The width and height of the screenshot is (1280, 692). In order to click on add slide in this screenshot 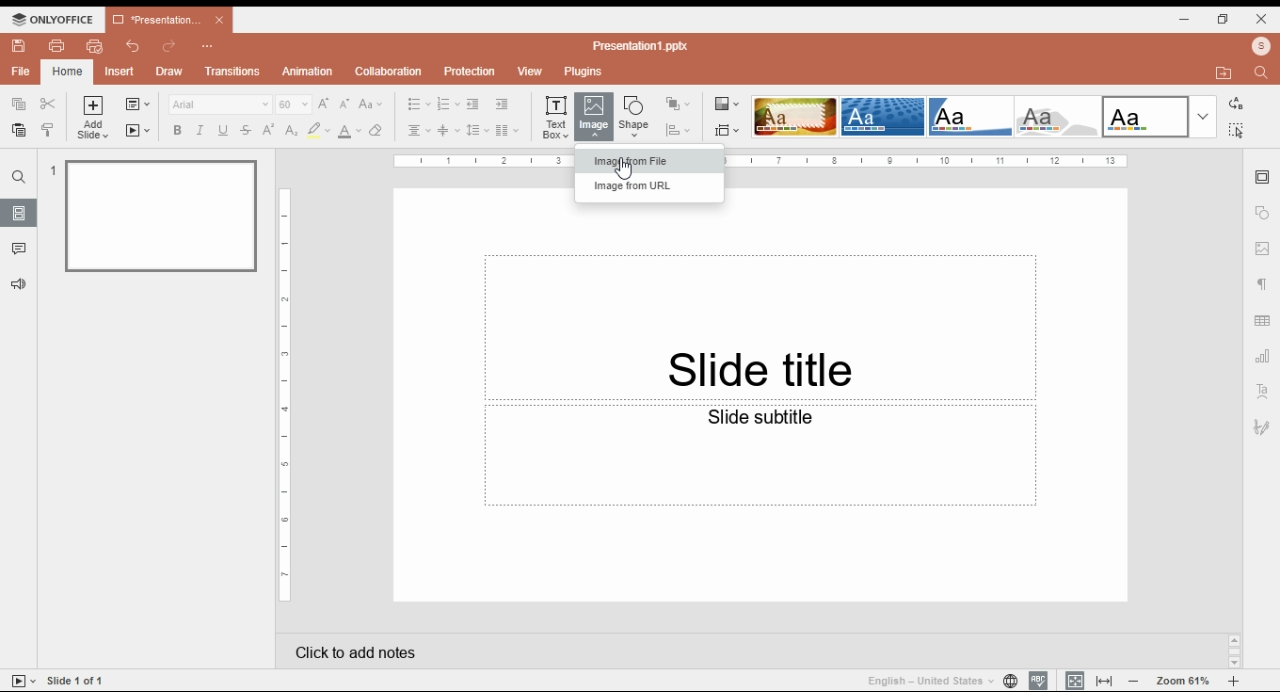, I will do `click(91, 117)`.